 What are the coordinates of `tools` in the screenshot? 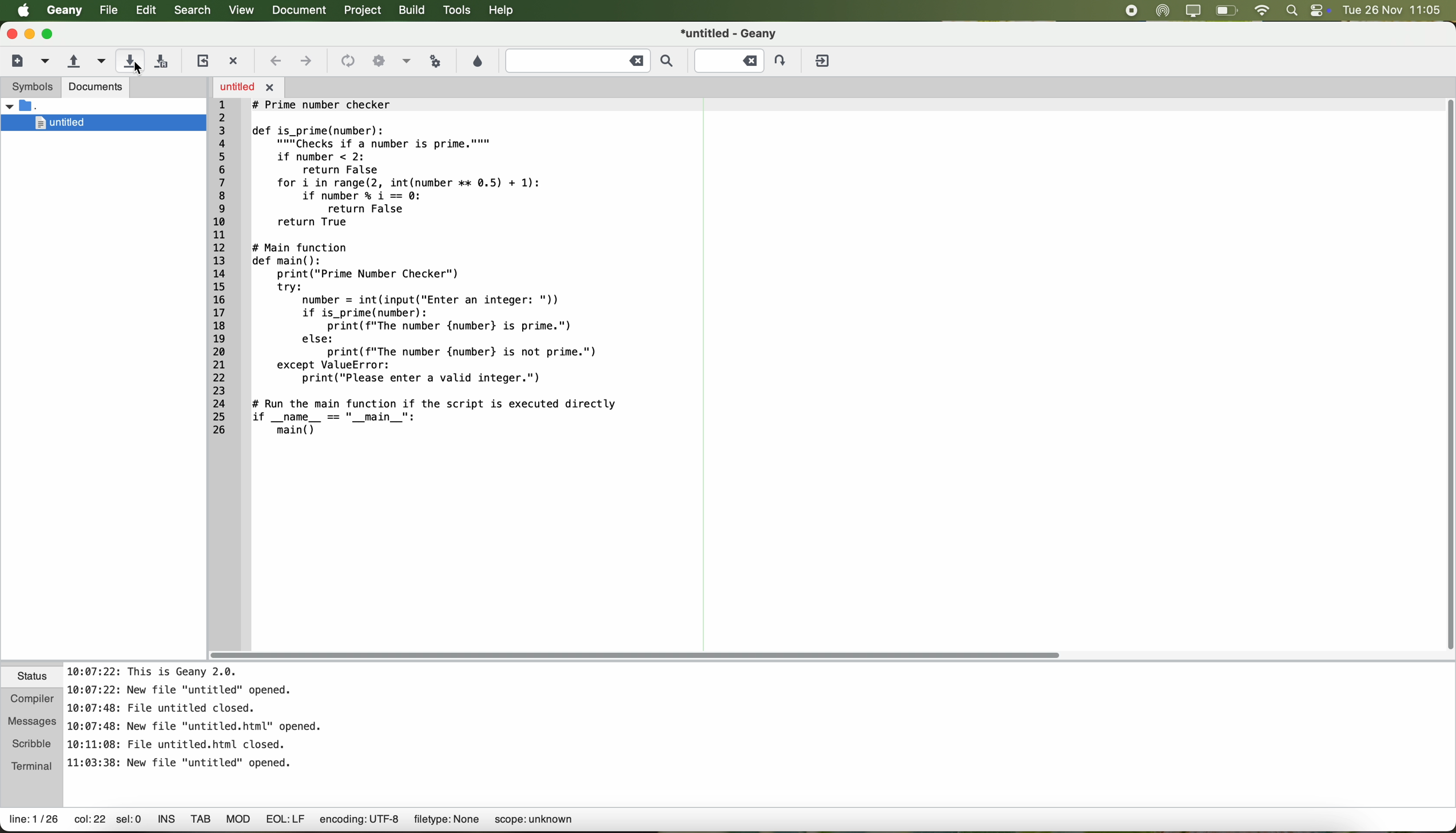 It's located at (458, 11).